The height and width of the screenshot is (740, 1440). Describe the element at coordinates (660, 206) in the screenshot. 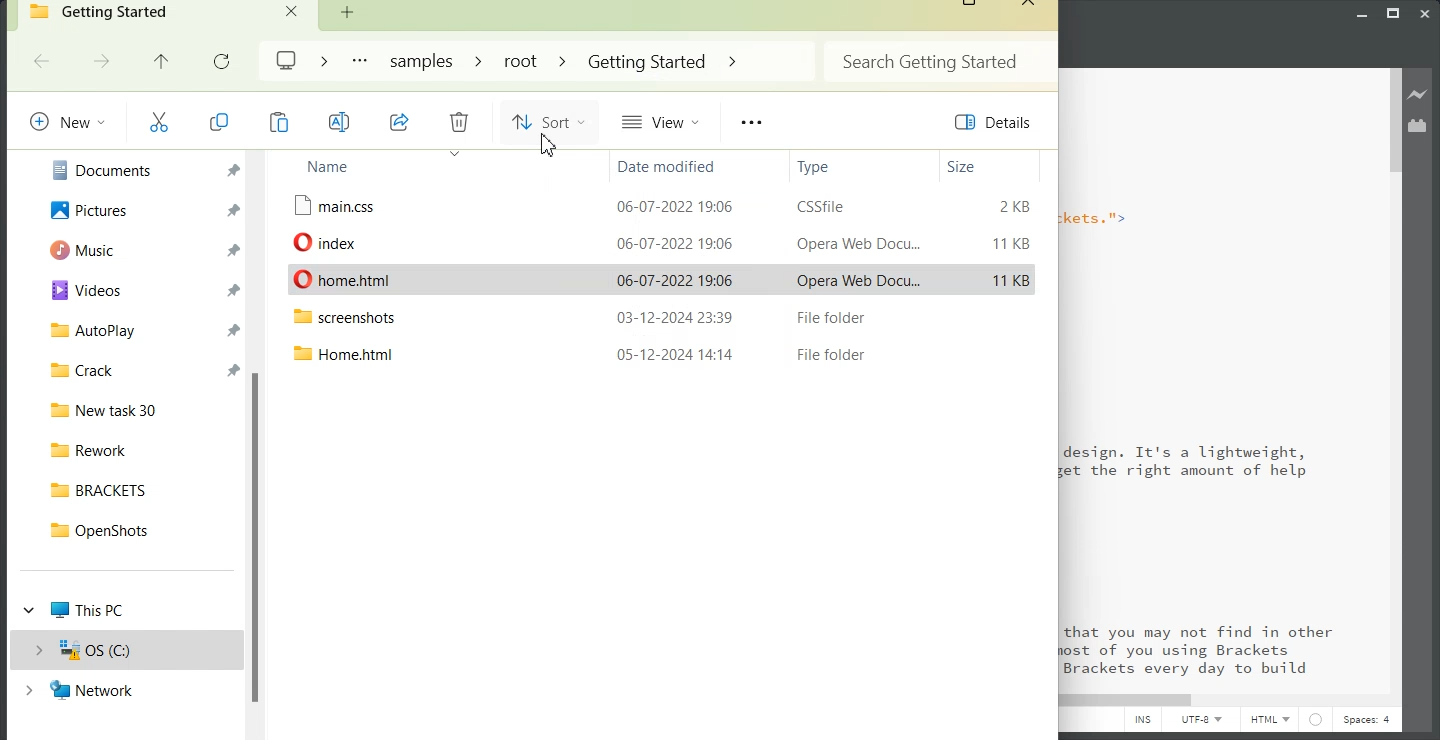

I see `File` at that location.